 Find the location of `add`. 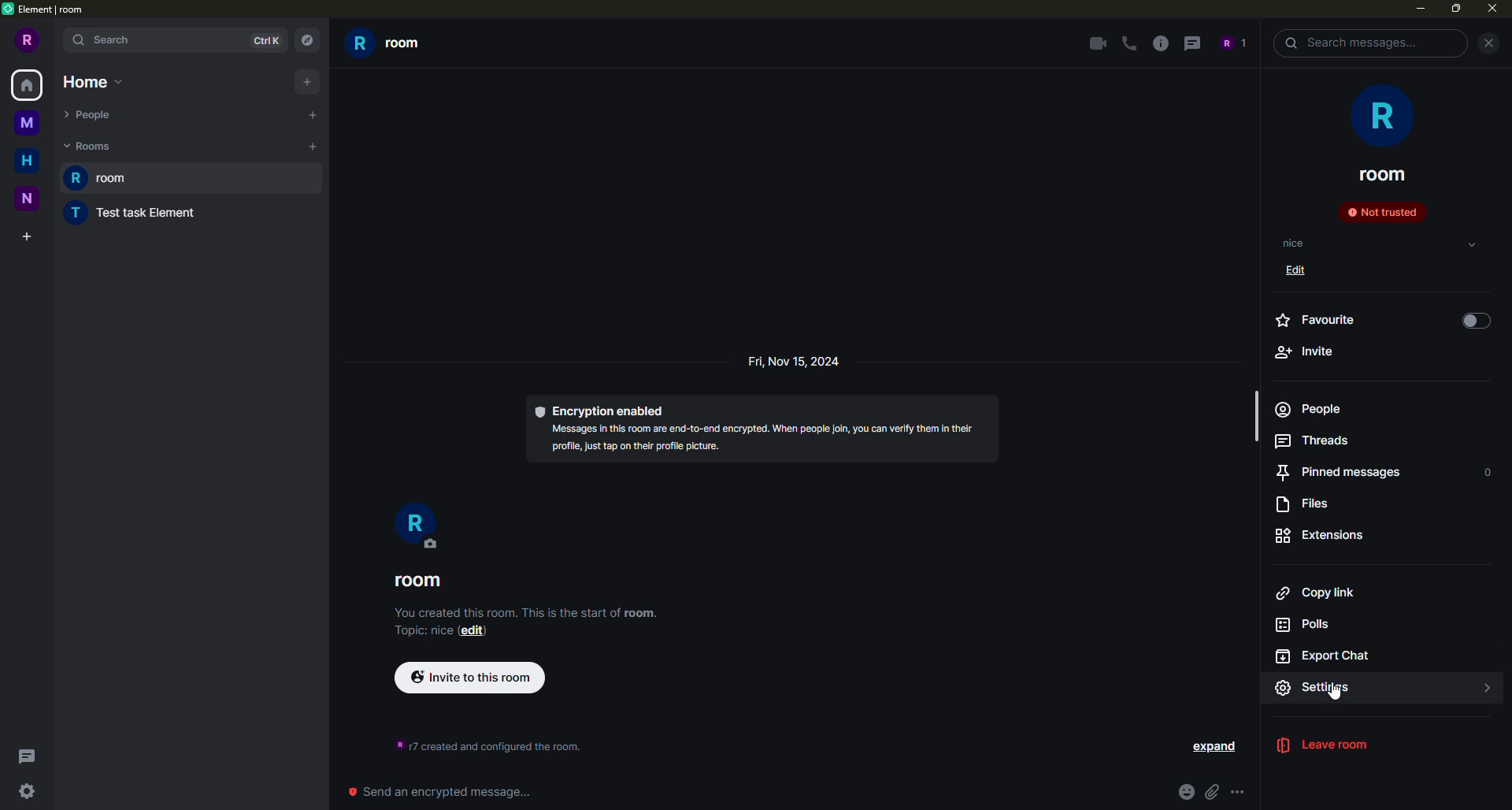

add is located at coordinates (306, 82).